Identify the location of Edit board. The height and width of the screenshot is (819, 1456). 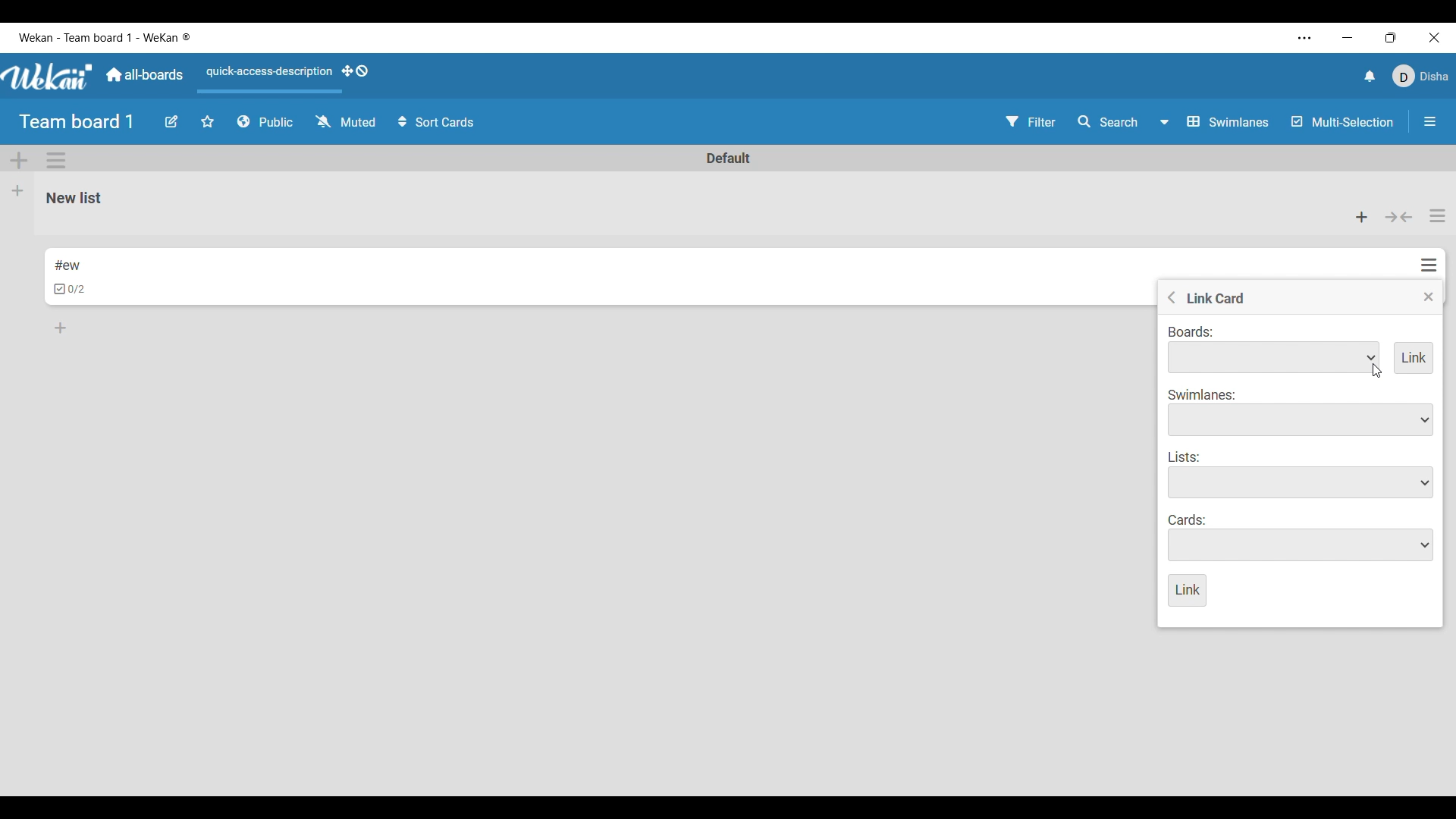
(171, 121).